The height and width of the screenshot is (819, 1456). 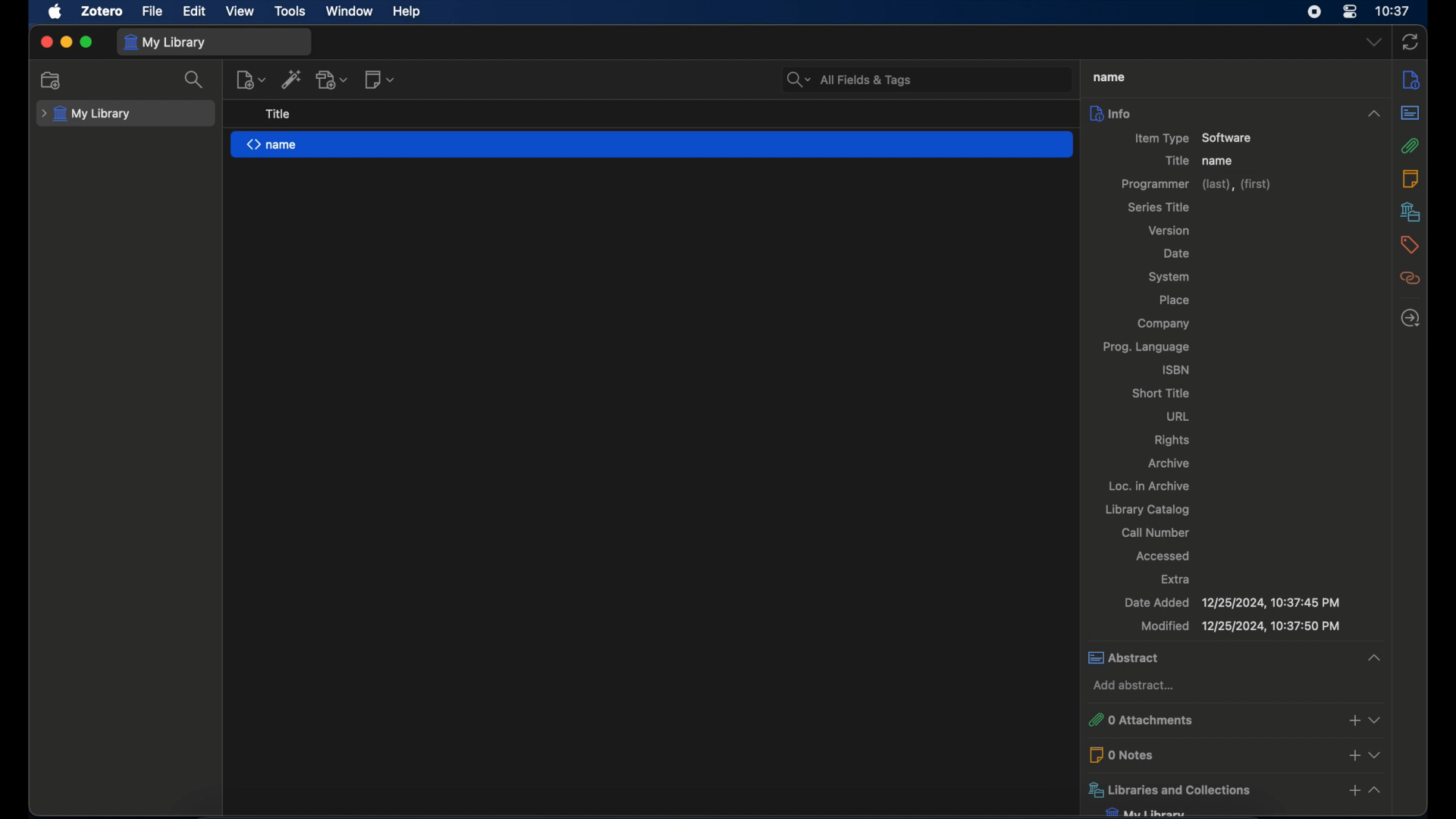 What do you see at coordinates (1147, 510) in the screenshot?
I see `library catalog` at bounding box center [1147, 510].